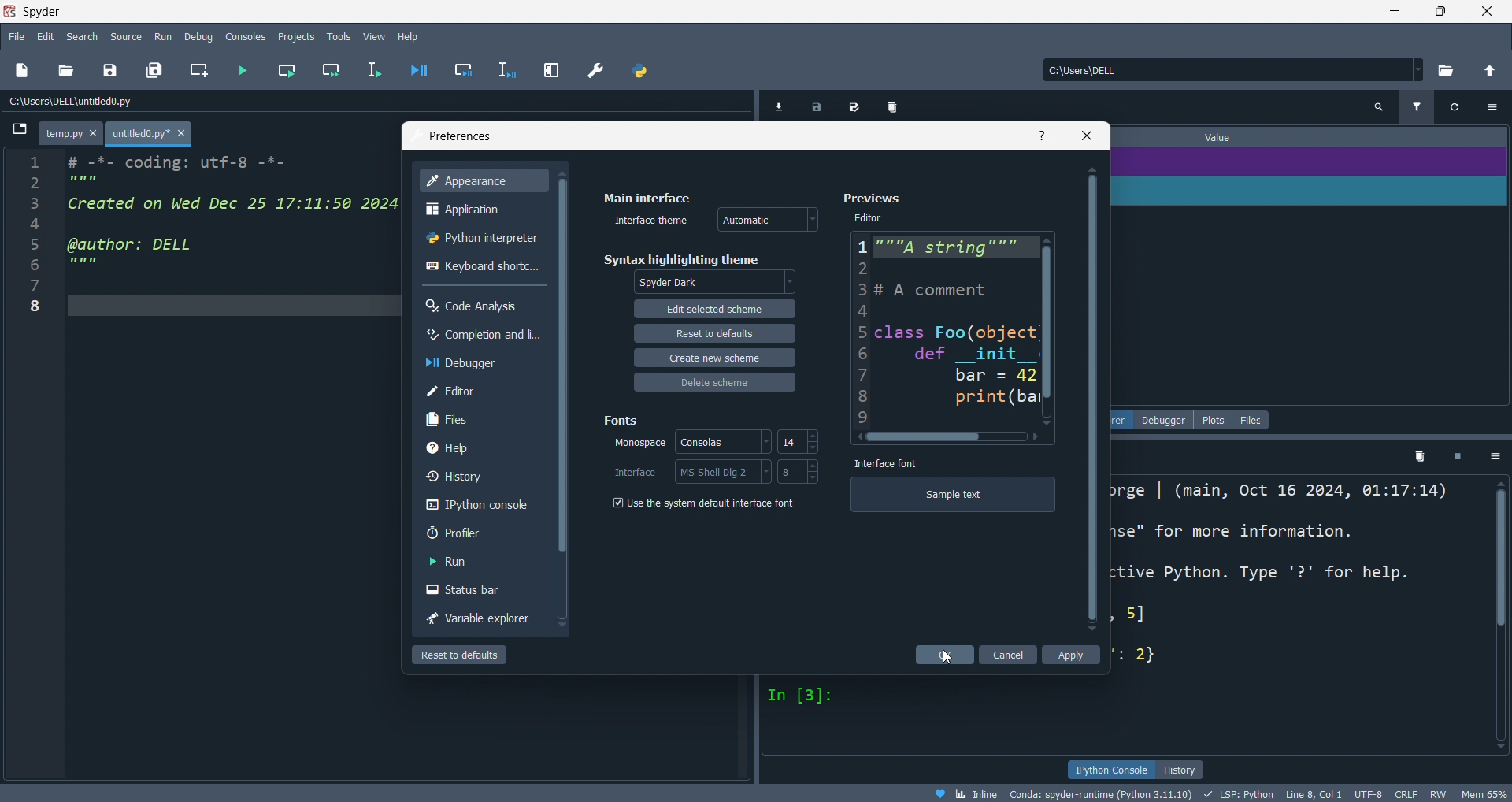  Describe the element at coordinates (901, 462) in the screenshot. I see `Interface font` at that location.